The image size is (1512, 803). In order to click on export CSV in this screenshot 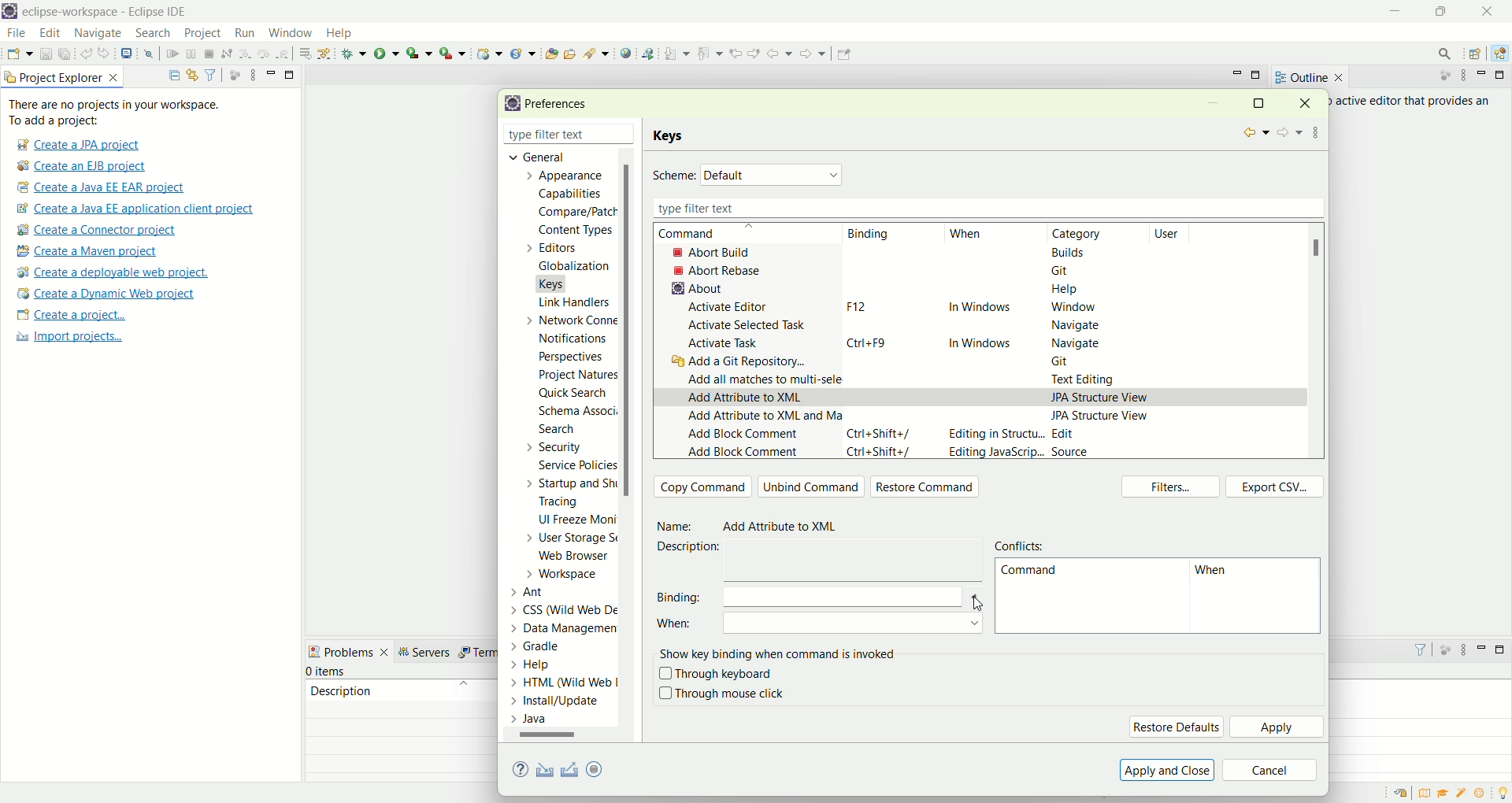, I will do `click(1275, 487)`.